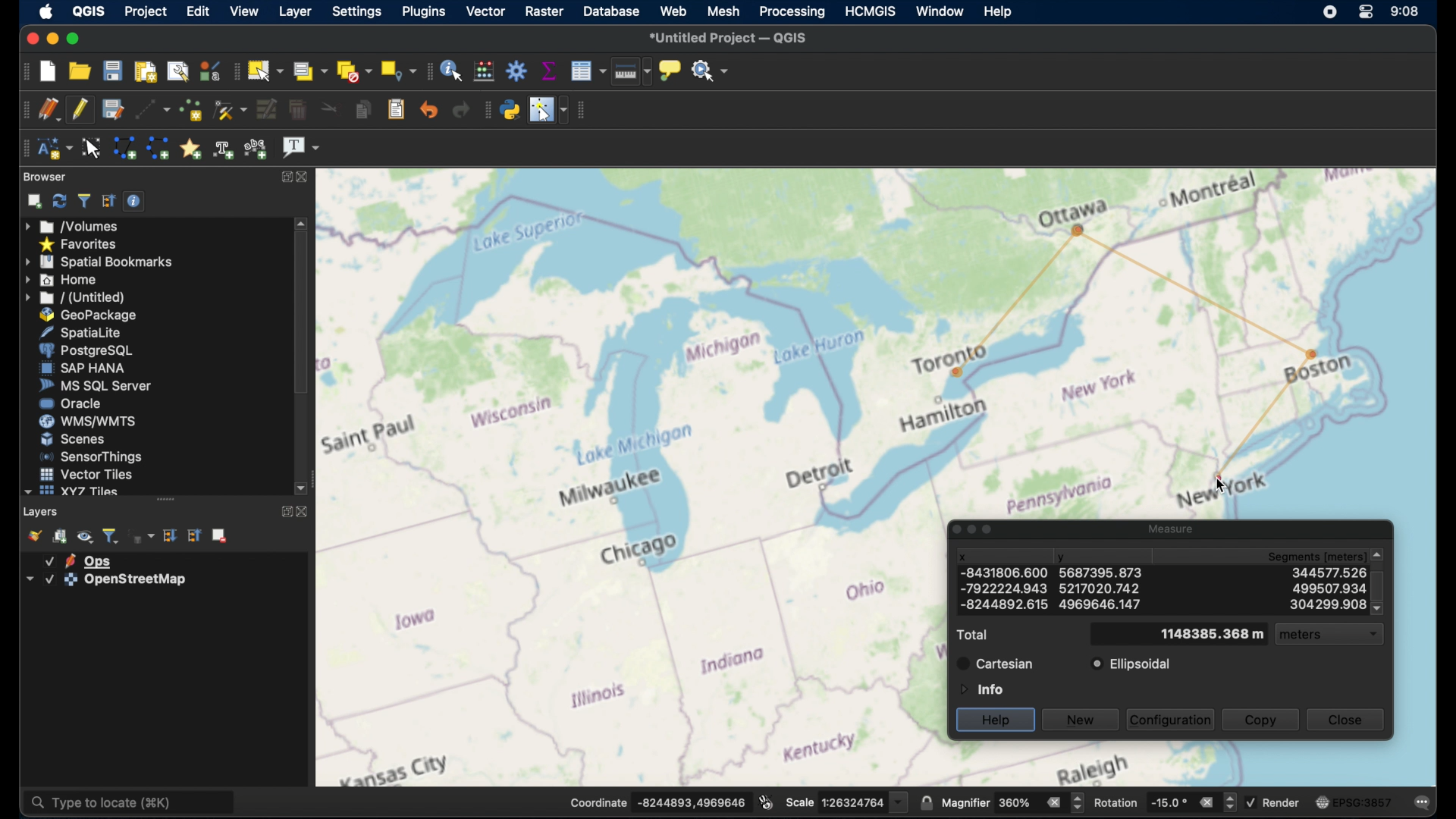  Describe the element at coordinates (549, 69) in the screenshot. I see `show statistical summary` at that location.